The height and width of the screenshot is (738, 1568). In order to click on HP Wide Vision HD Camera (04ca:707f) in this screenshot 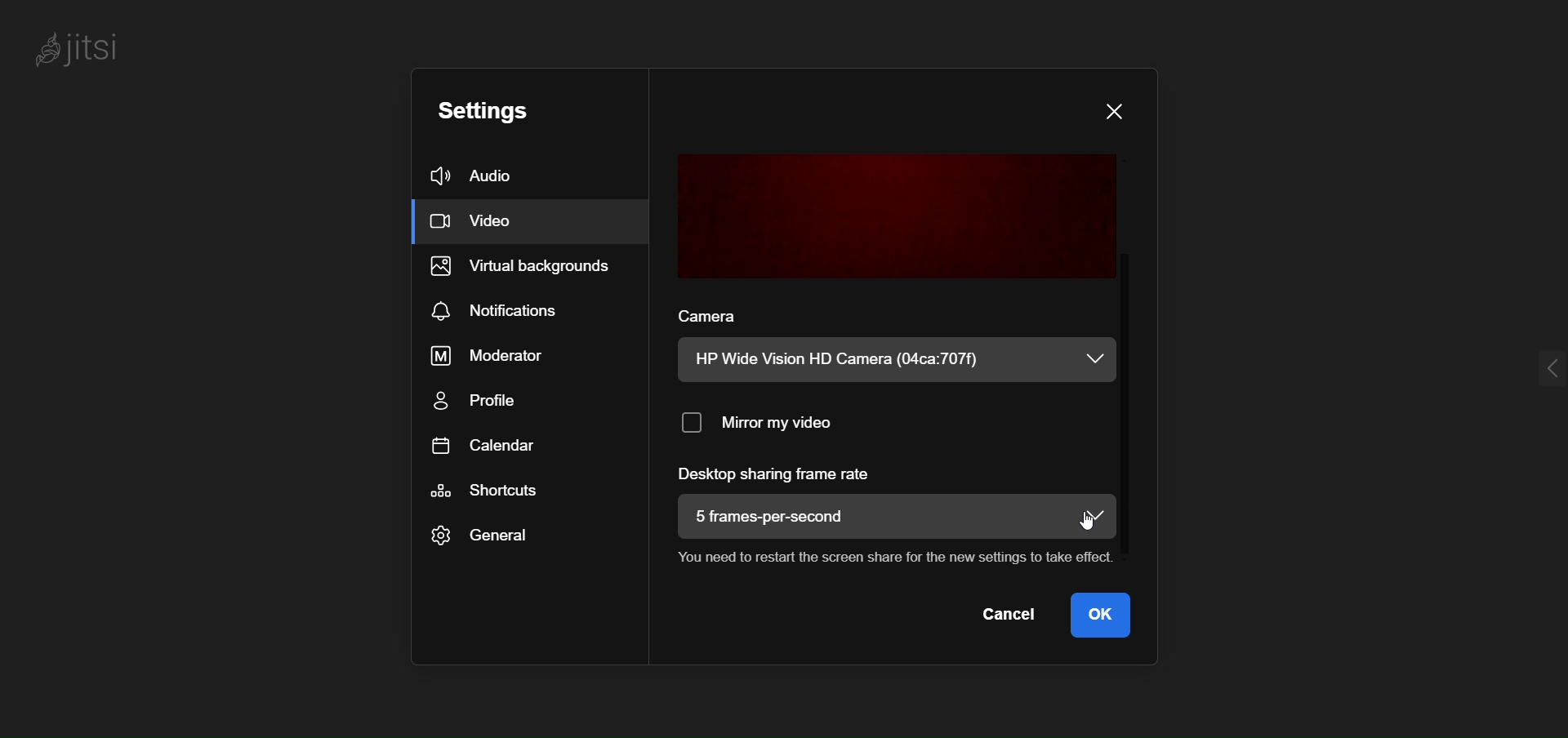, I will do `click(843, 359)`.